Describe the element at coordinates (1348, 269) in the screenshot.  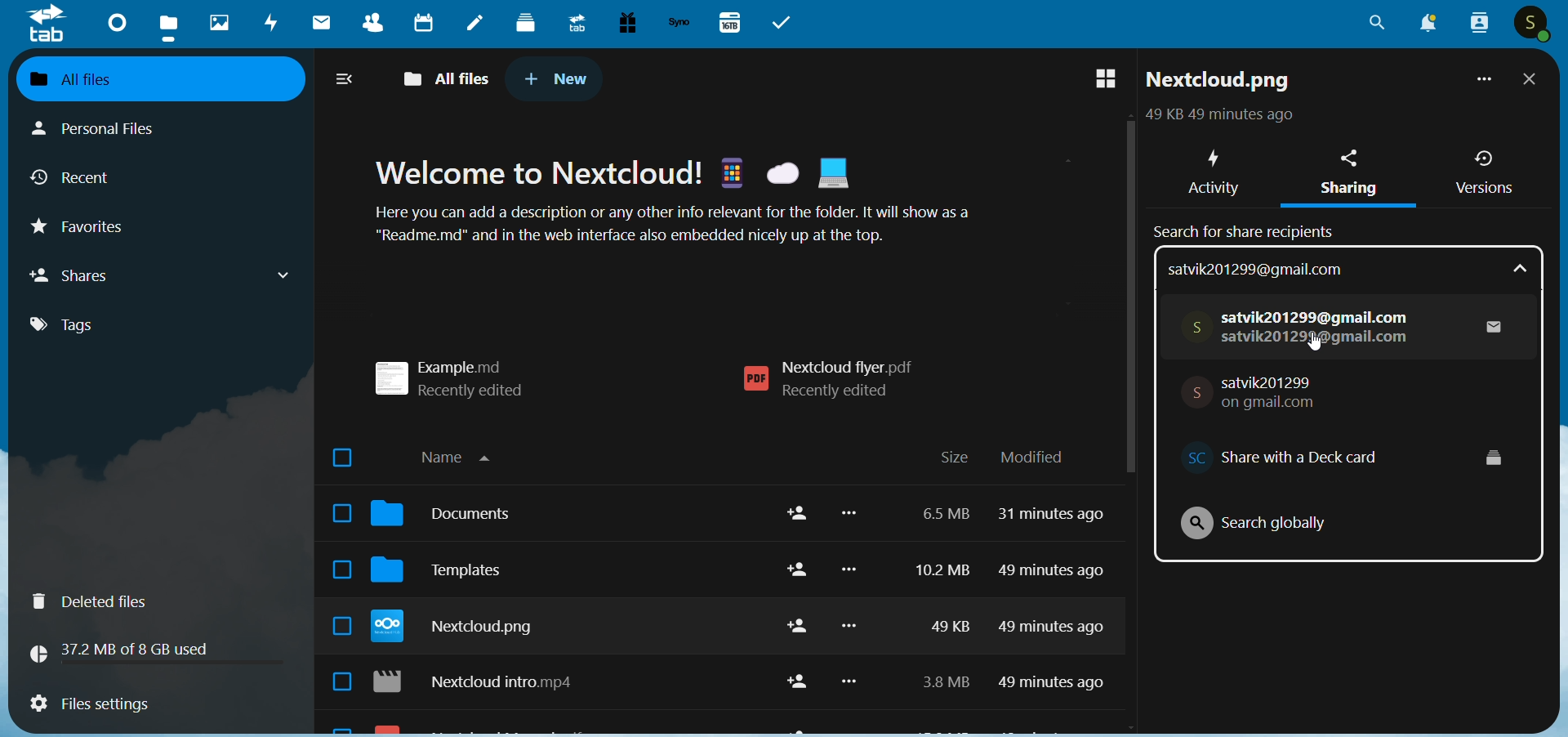
I see `email search` at that location.